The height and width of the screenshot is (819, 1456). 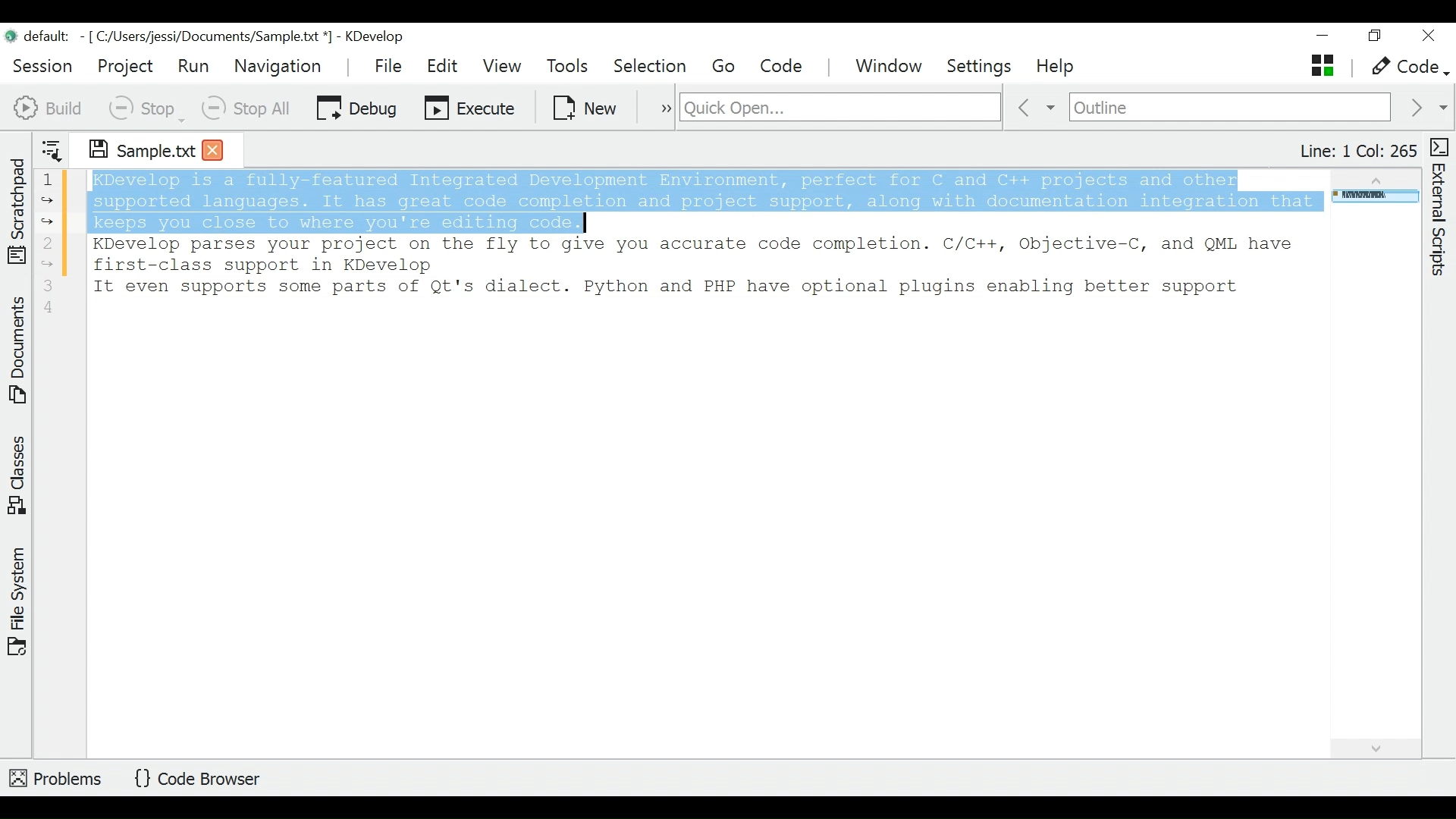 What do you see at coordinates (124, 66) in the screenshot?
I see `Project` at bounding box center [124, 66].